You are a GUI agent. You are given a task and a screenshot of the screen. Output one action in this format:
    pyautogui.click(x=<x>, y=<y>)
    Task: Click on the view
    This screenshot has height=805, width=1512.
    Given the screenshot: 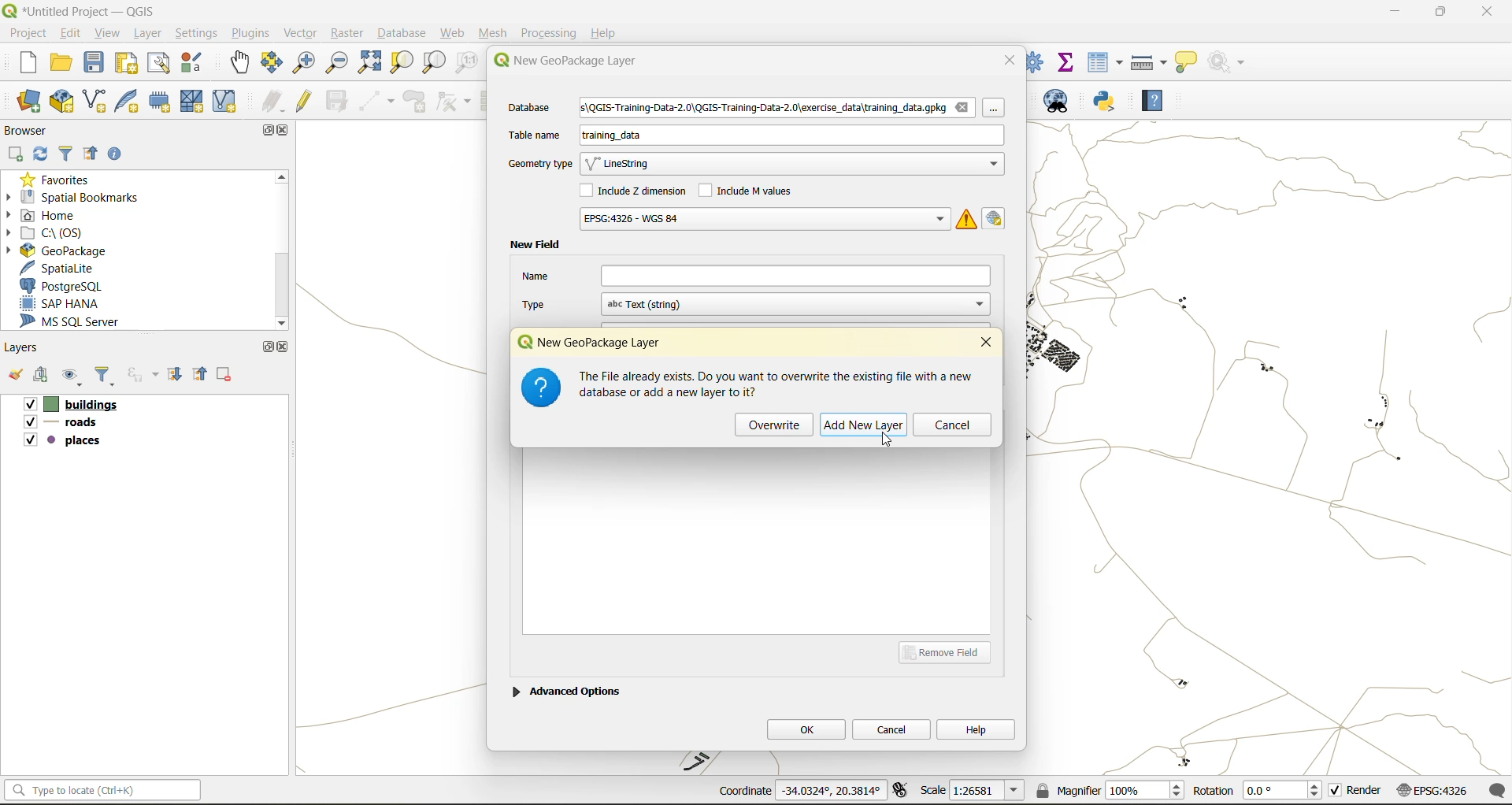 What is the action you would take?
    pyautogui.click(x=109, y=32)
    